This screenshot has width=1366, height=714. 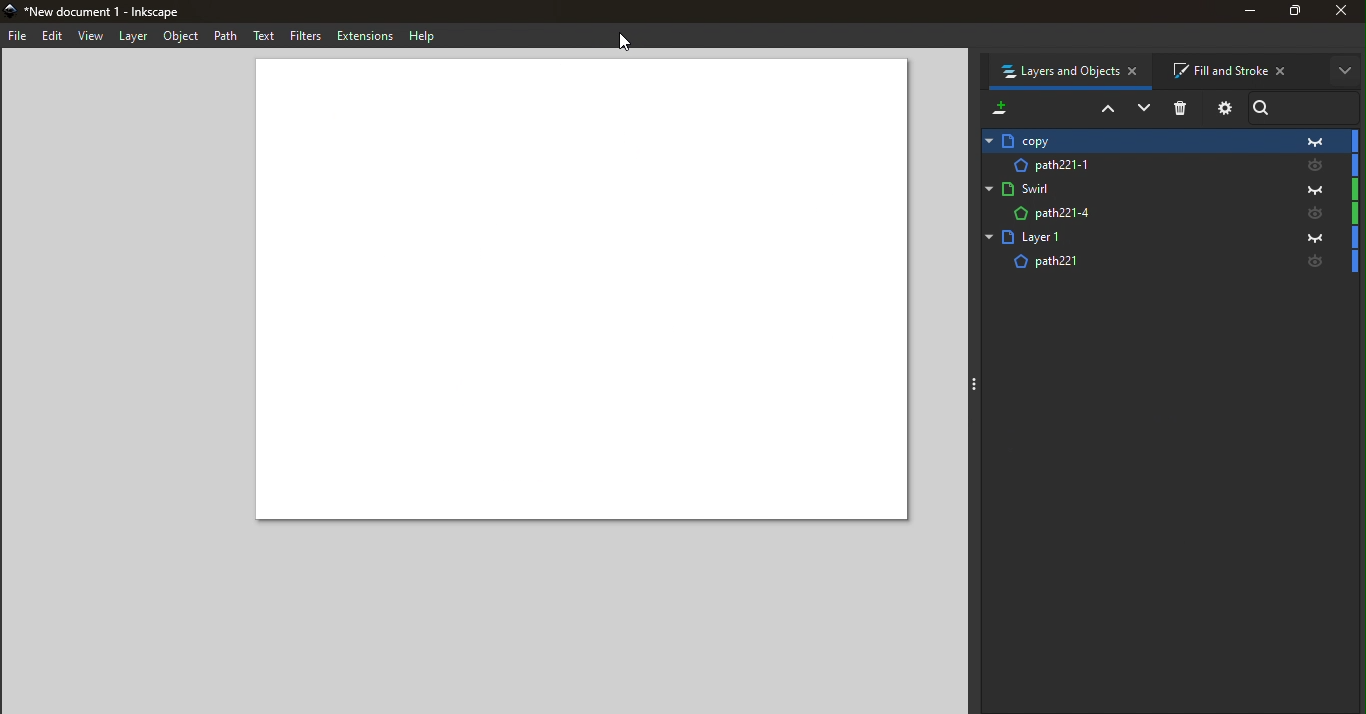 What do you see at coordinates (1133, 188) in the screenshot?
I see `Layer` at bounding box center [1133, 188].